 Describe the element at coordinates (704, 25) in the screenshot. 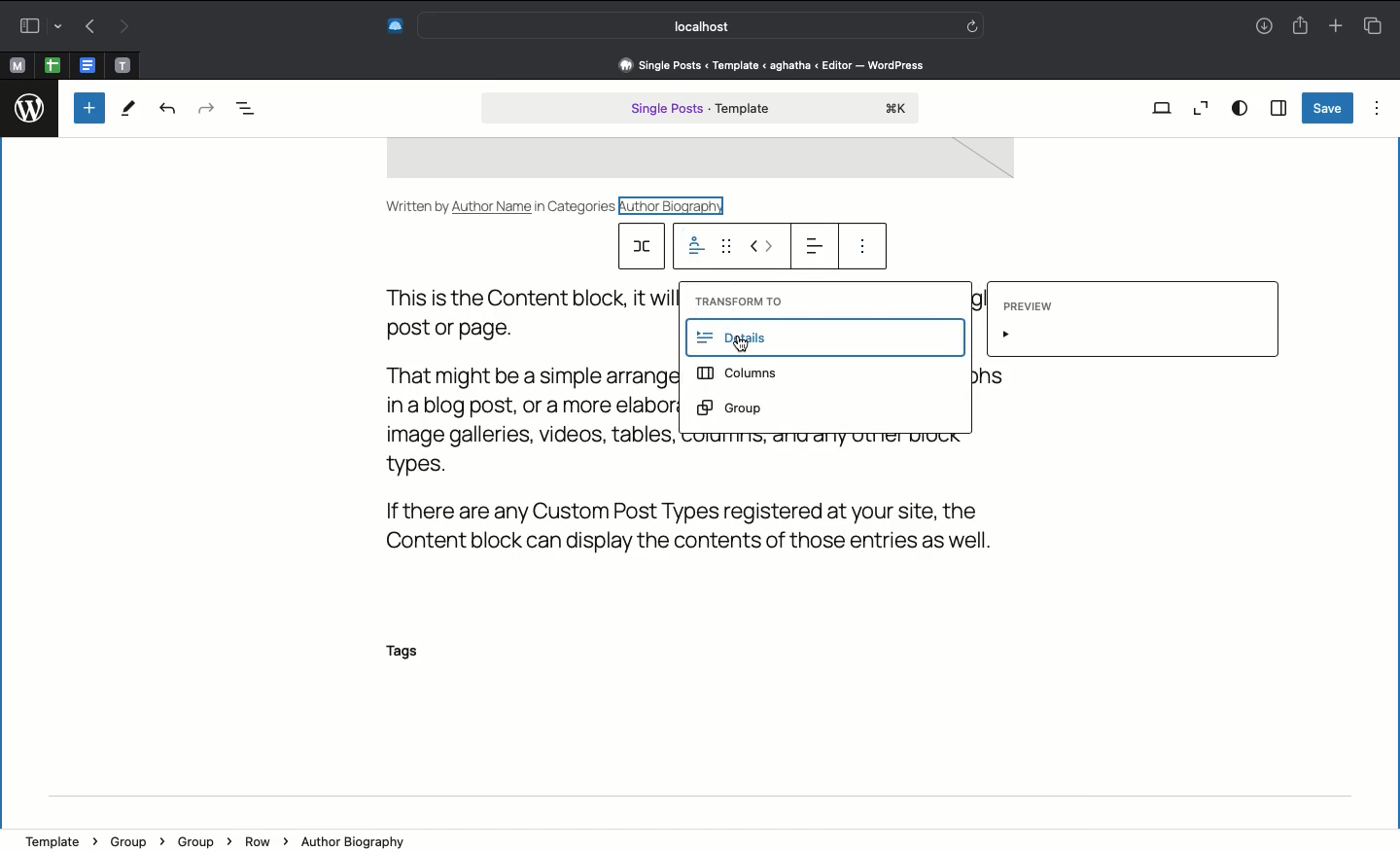

I see `Search bar` at that location.